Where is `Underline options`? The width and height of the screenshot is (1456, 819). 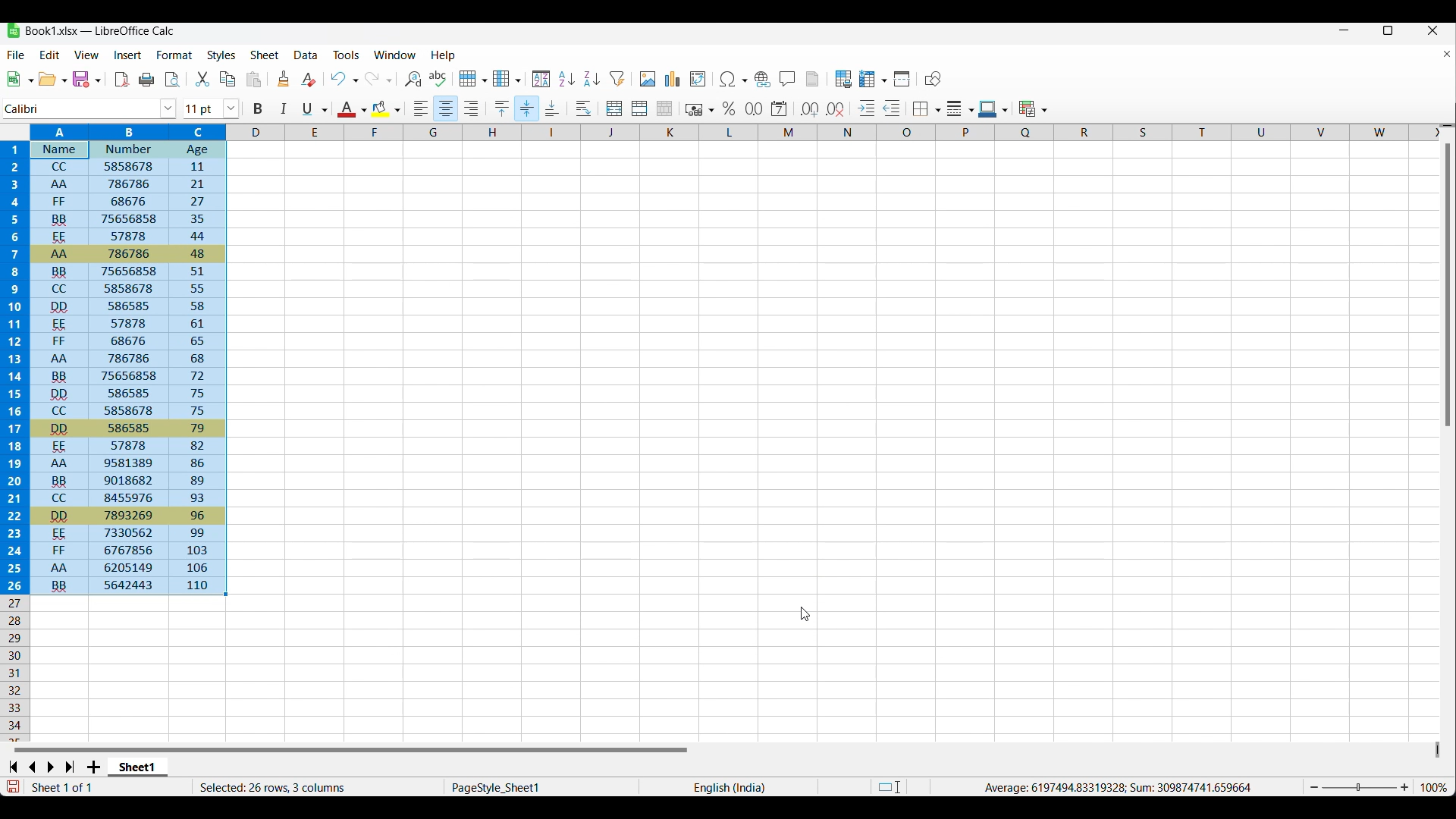
Underline options is located at coordinates (315, 109).